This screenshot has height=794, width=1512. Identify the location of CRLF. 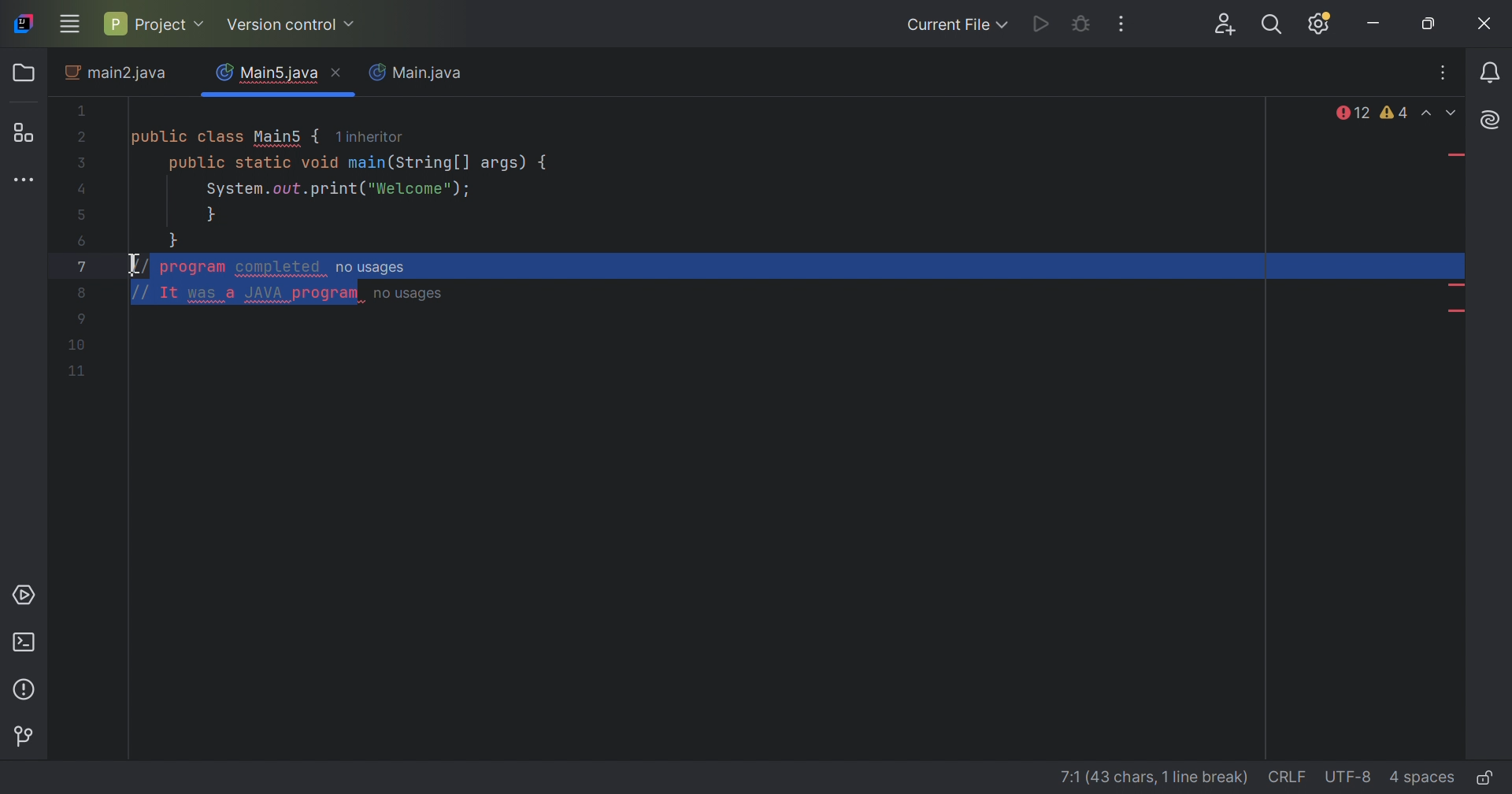
(1284, 777).